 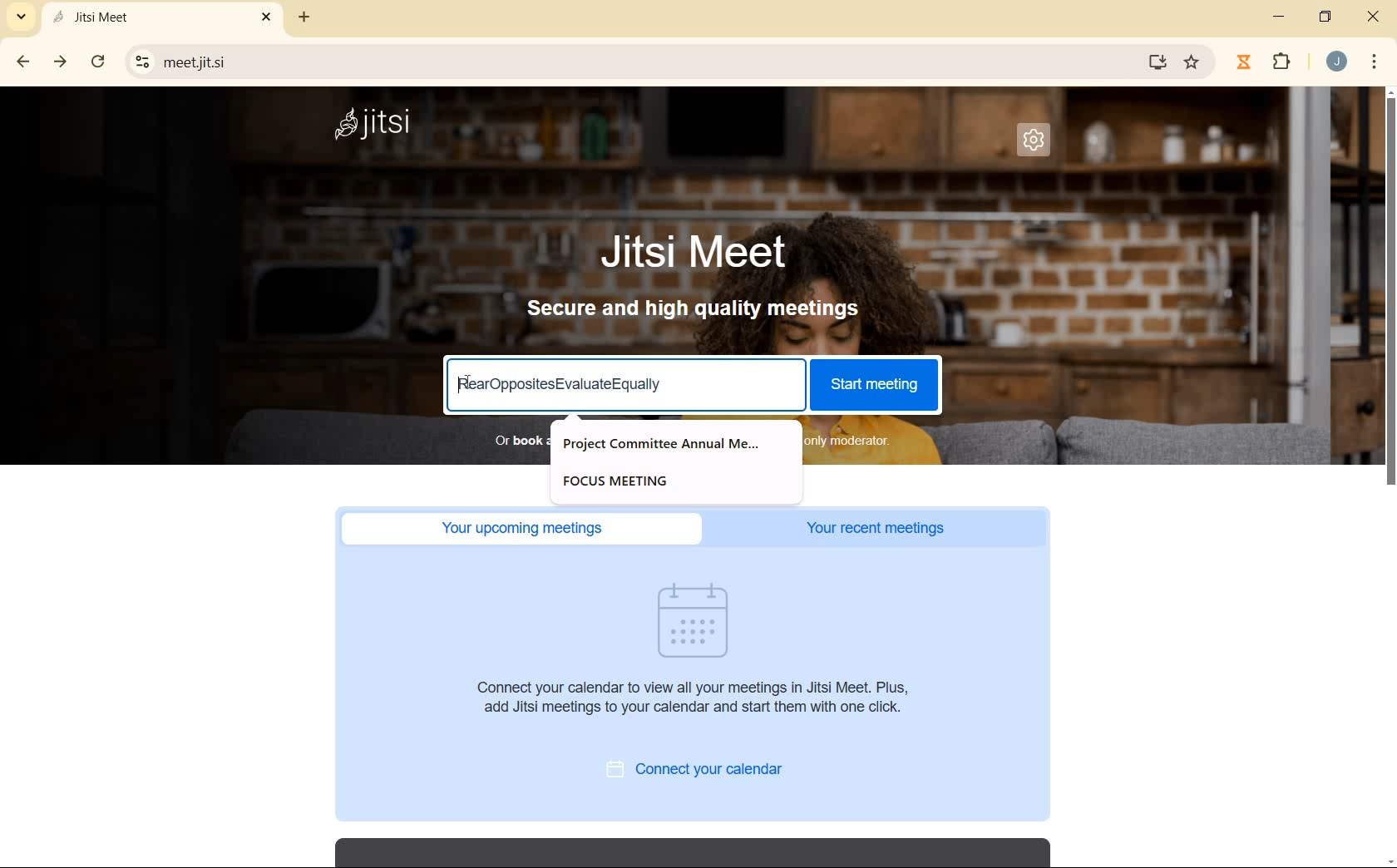 I want to click on secure and high quality meetings, so click(x=701, y=313).